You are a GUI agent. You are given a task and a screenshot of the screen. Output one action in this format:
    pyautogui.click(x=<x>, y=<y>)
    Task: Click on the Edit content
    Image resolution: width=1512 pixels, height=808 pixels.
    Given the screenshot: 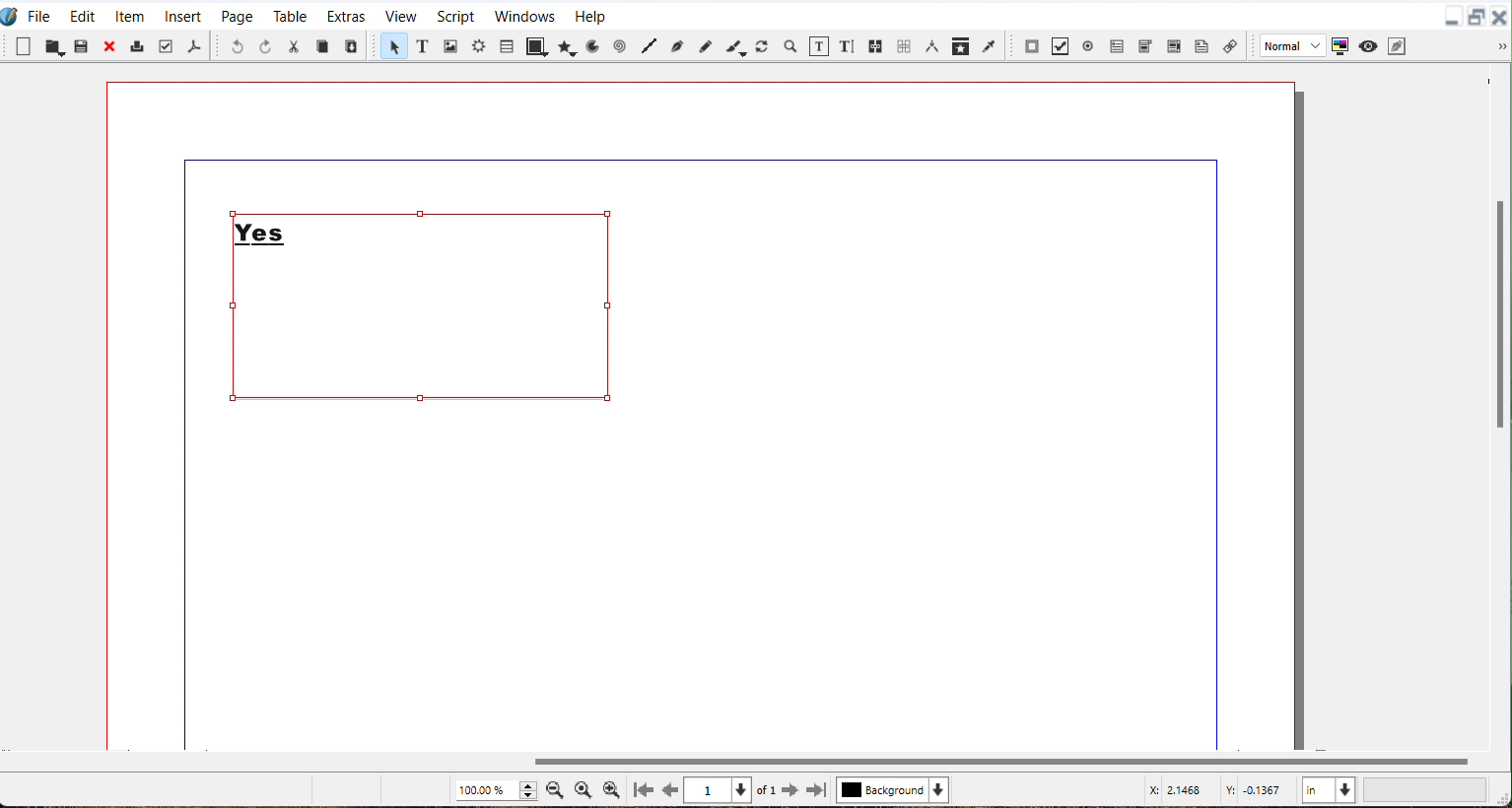 What is the action you would take?
    pyautogui.click(x=820, y=45)
    